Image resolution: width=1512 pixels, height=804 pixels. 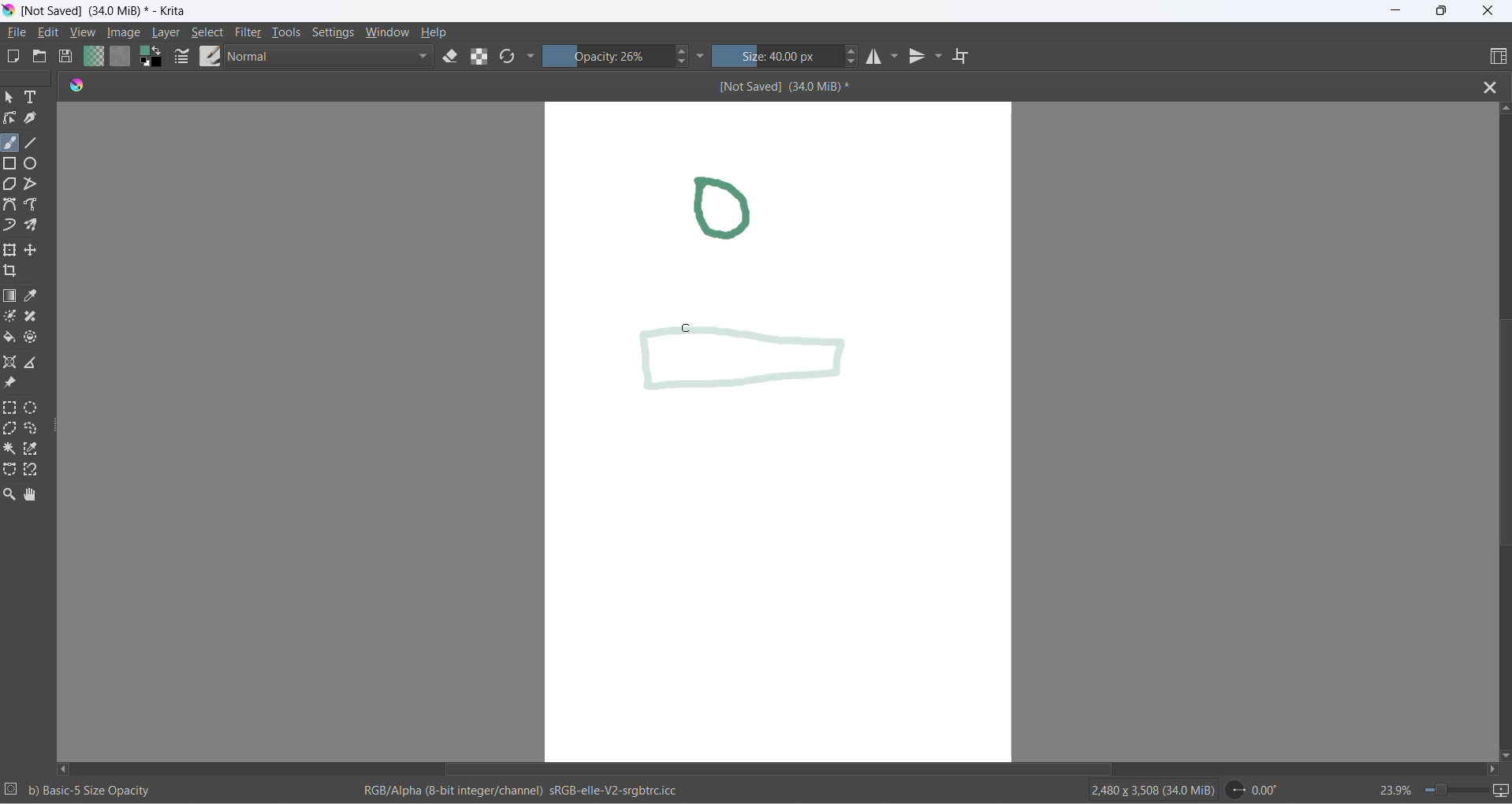 What do you see at coordinates (45, 58) in the screenshot?
I see `open document` at bounding box center [45, 58].